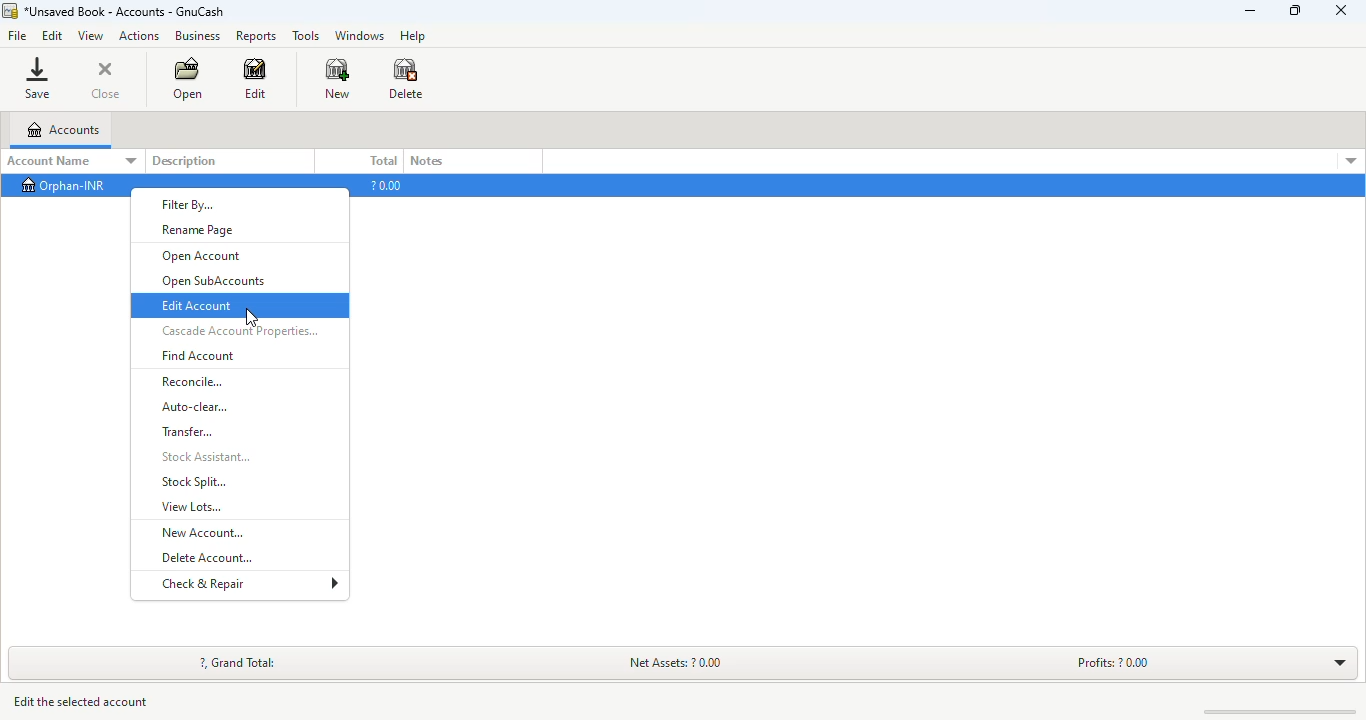 This screenshot has width=1366, height=720. Describe the element at coordinates (1296, 11) in the screenshot. I see `maximize` at that location.